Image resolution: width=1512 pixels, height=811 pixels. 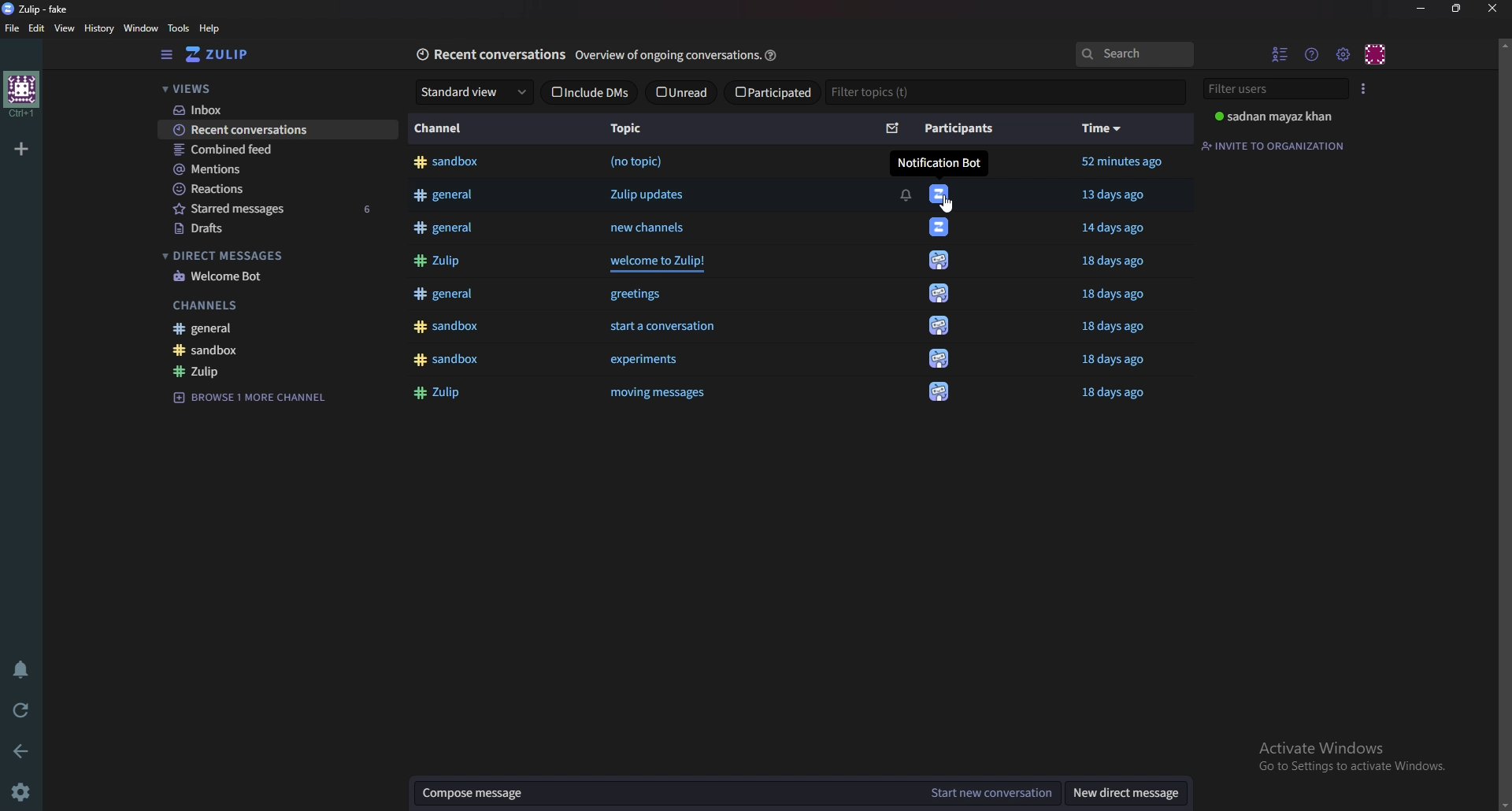 I want to click on search, so click(x=1133, y=54).